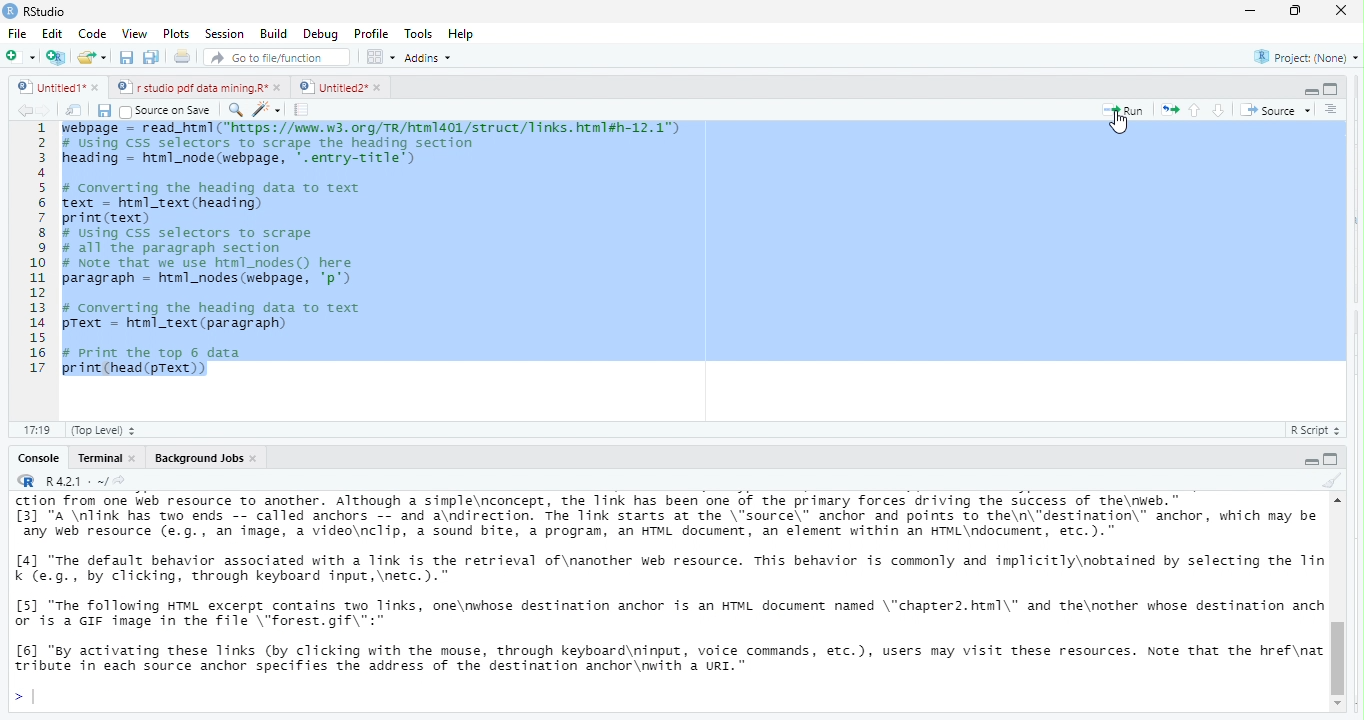 The width and height of the screenshot is (1364, 720). I want to click on  Go to file/function, so click(278, 58).